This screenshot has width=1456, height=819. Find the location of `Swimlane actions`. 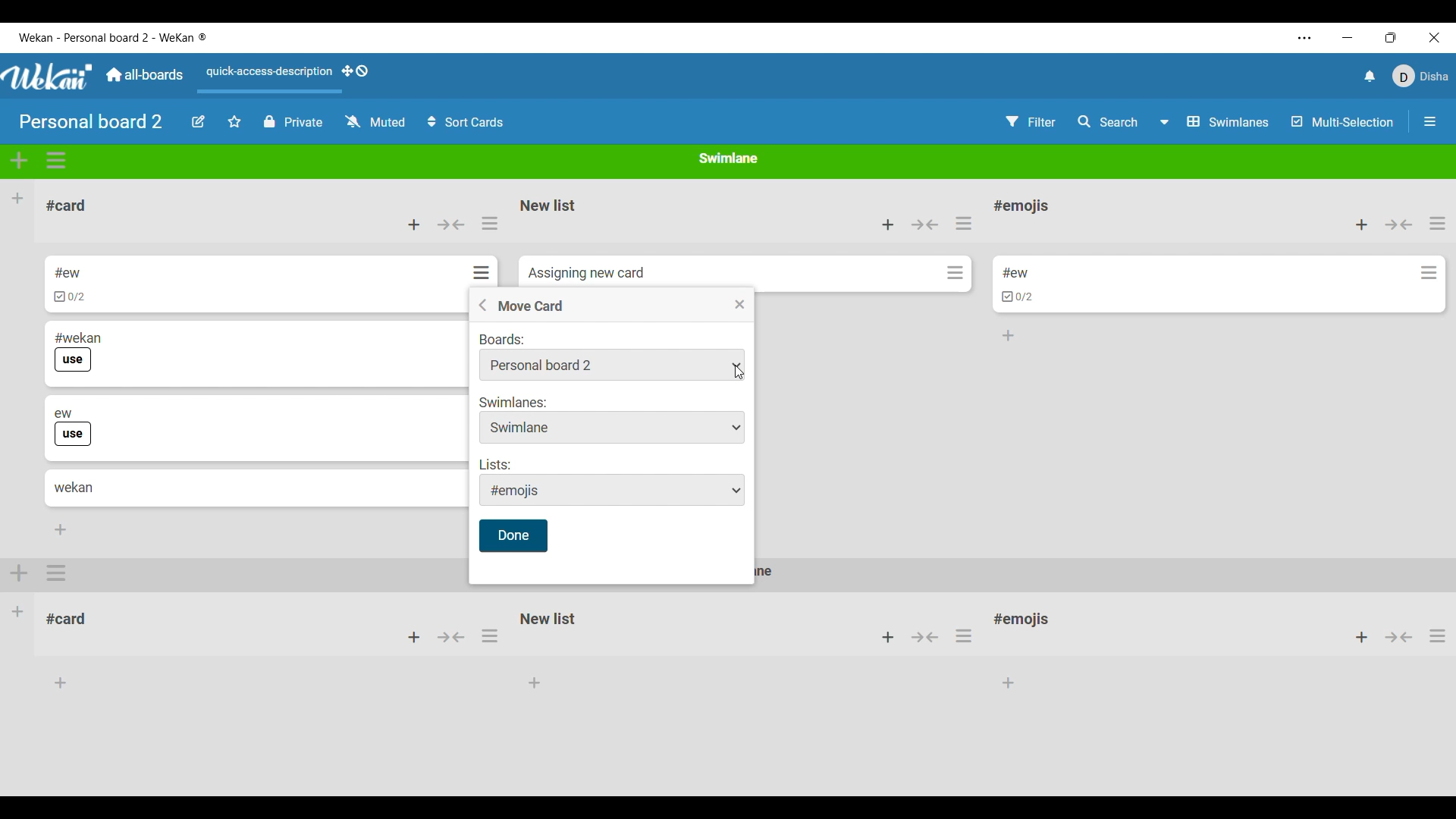

Swimlane actions is located at coordinates (57, 161).